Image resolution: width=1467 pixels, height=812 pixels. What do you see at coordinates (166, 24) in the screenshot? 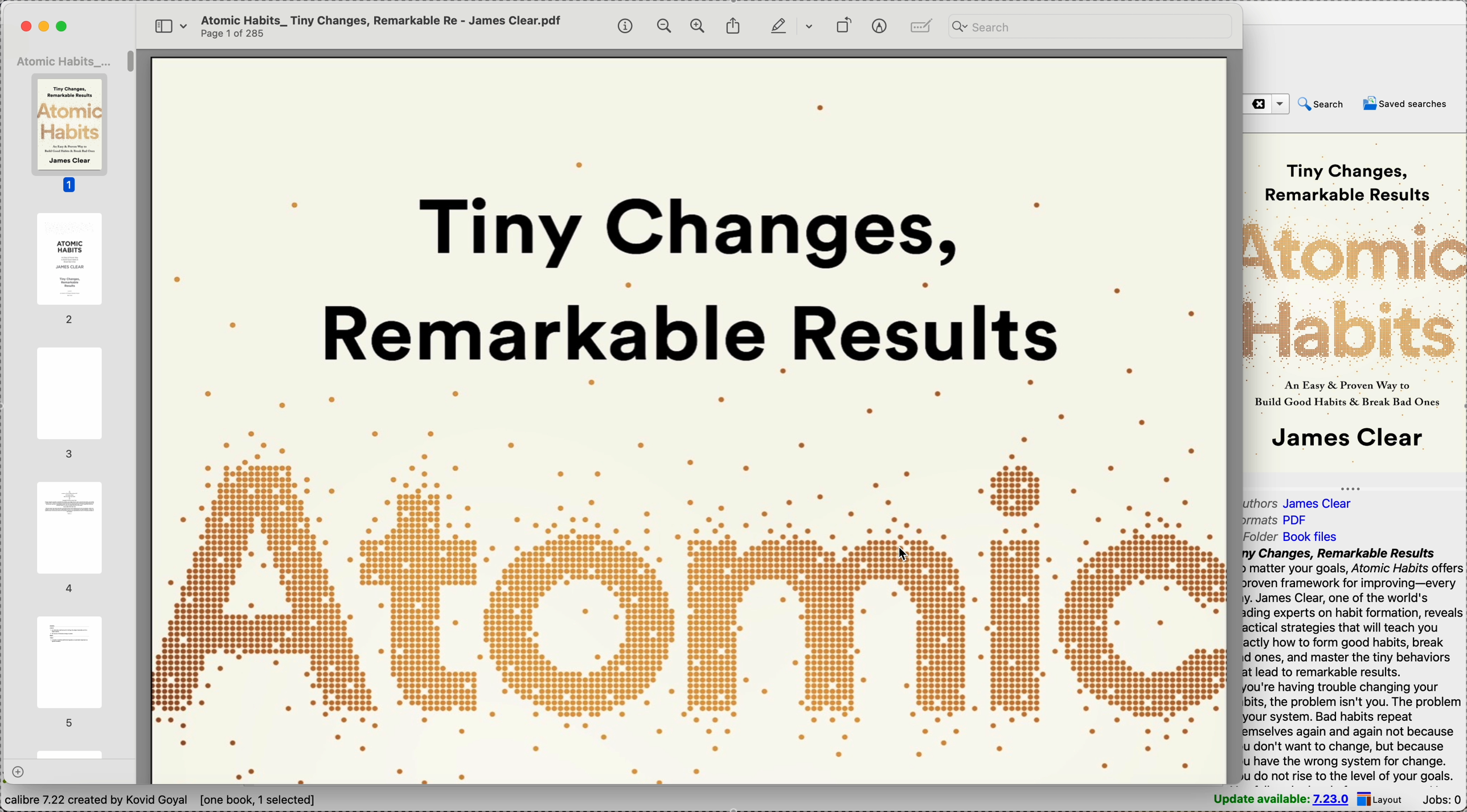
I see `view` at bounding box center [166, 24].